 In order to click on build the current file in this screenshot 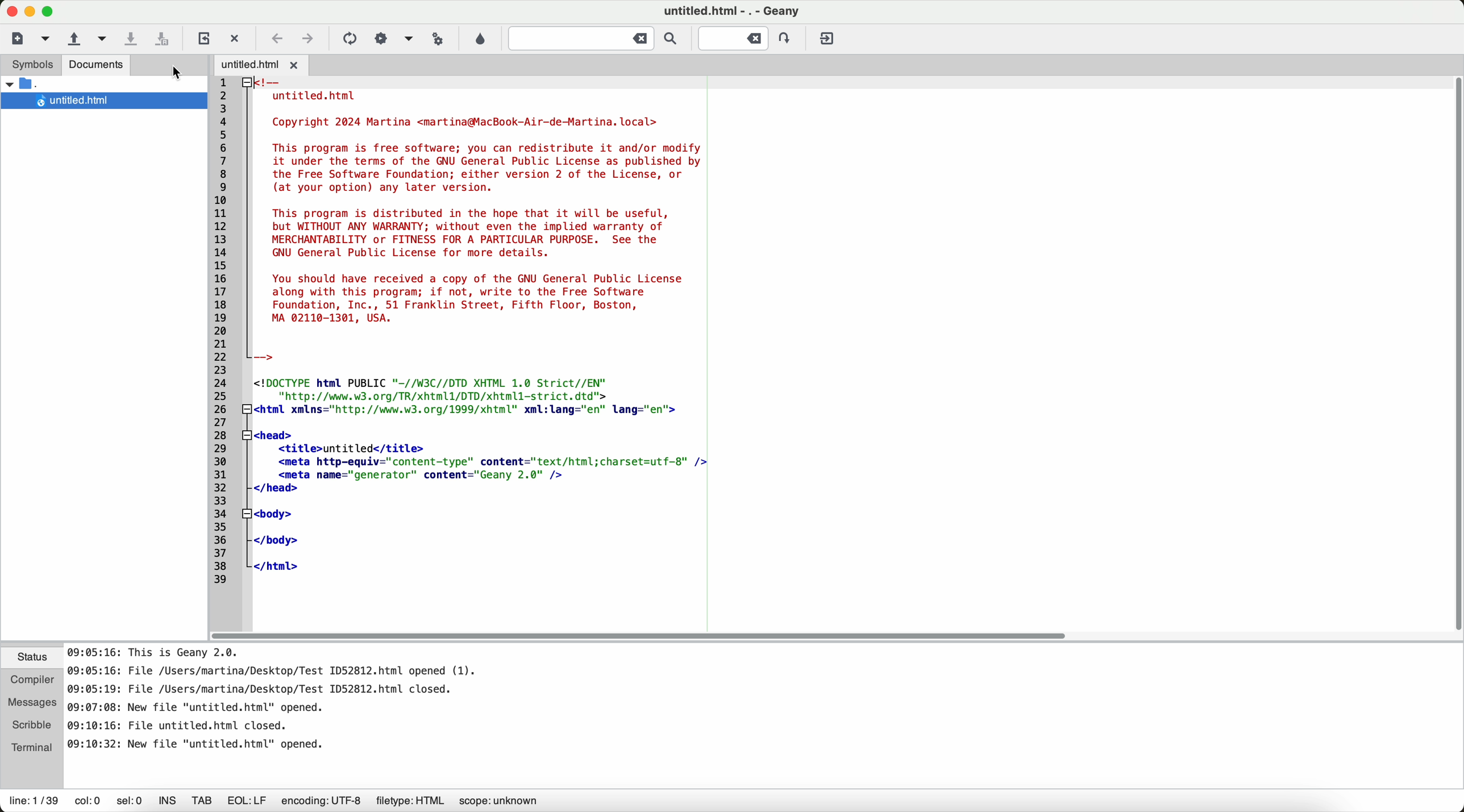, I will do `click(382, 40)`.